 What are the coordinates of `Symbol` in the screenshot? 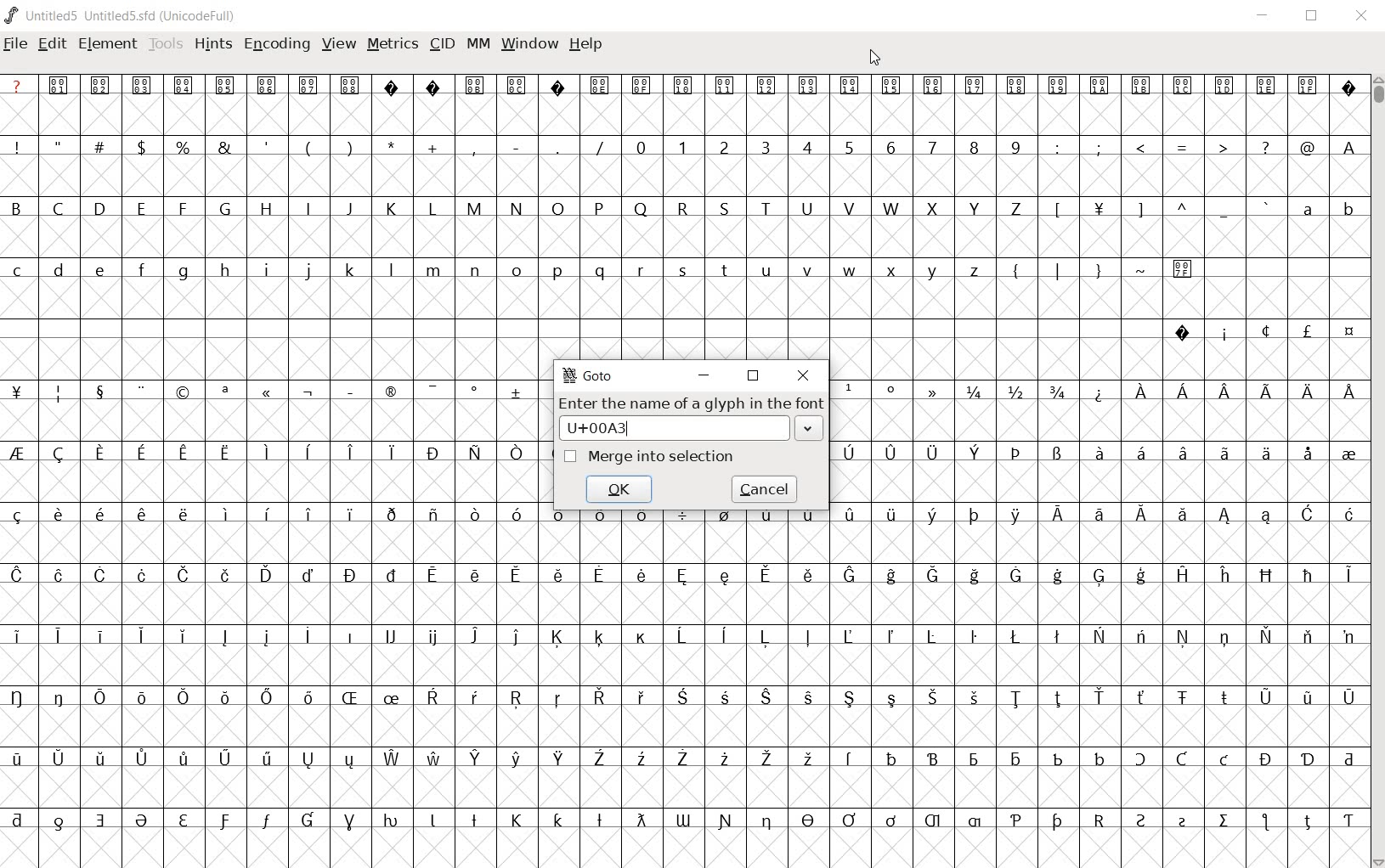 It's located at (558, 699).